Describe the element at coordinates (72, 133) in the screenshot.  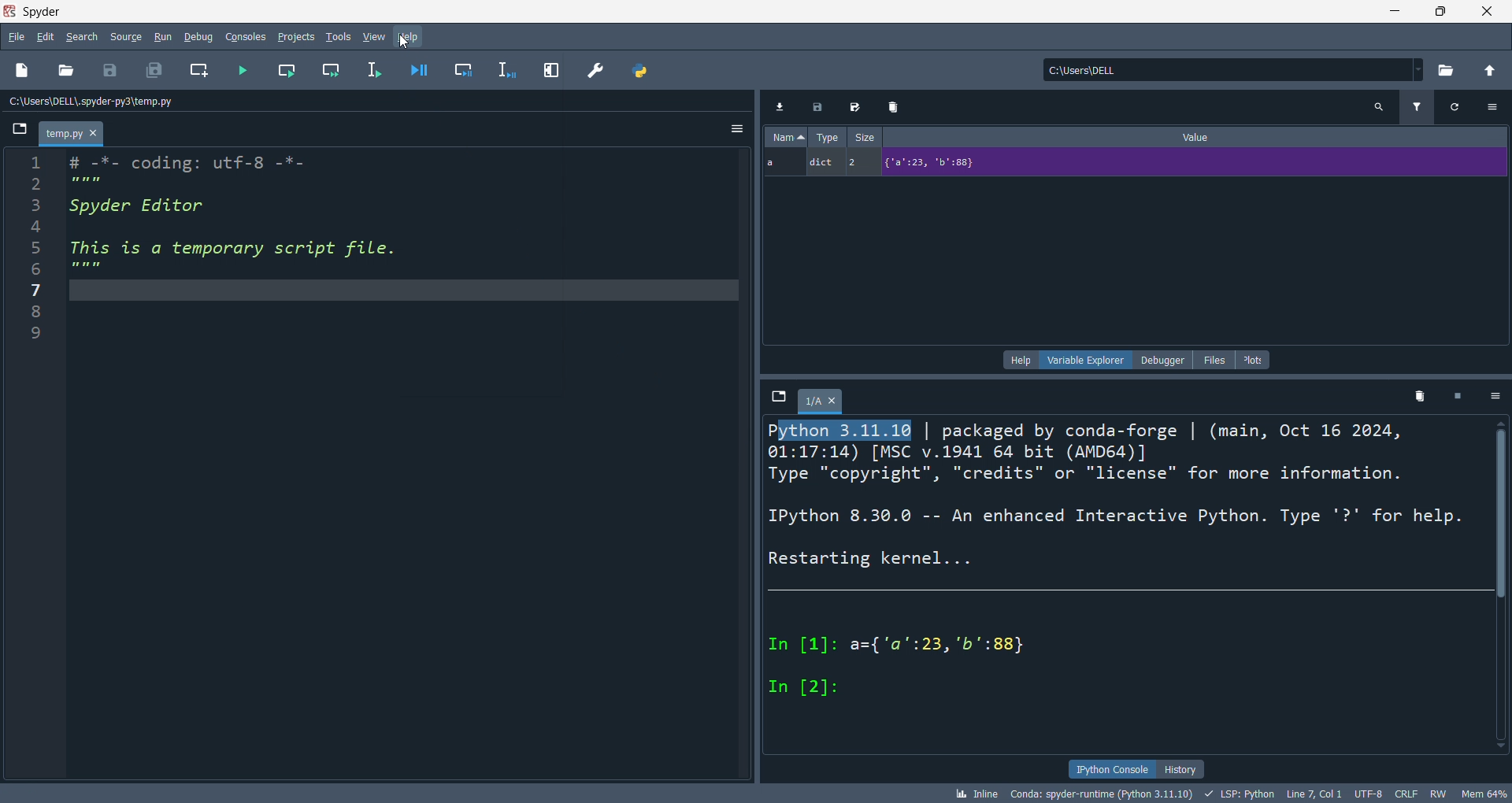
I see `Temp.py` at that location.